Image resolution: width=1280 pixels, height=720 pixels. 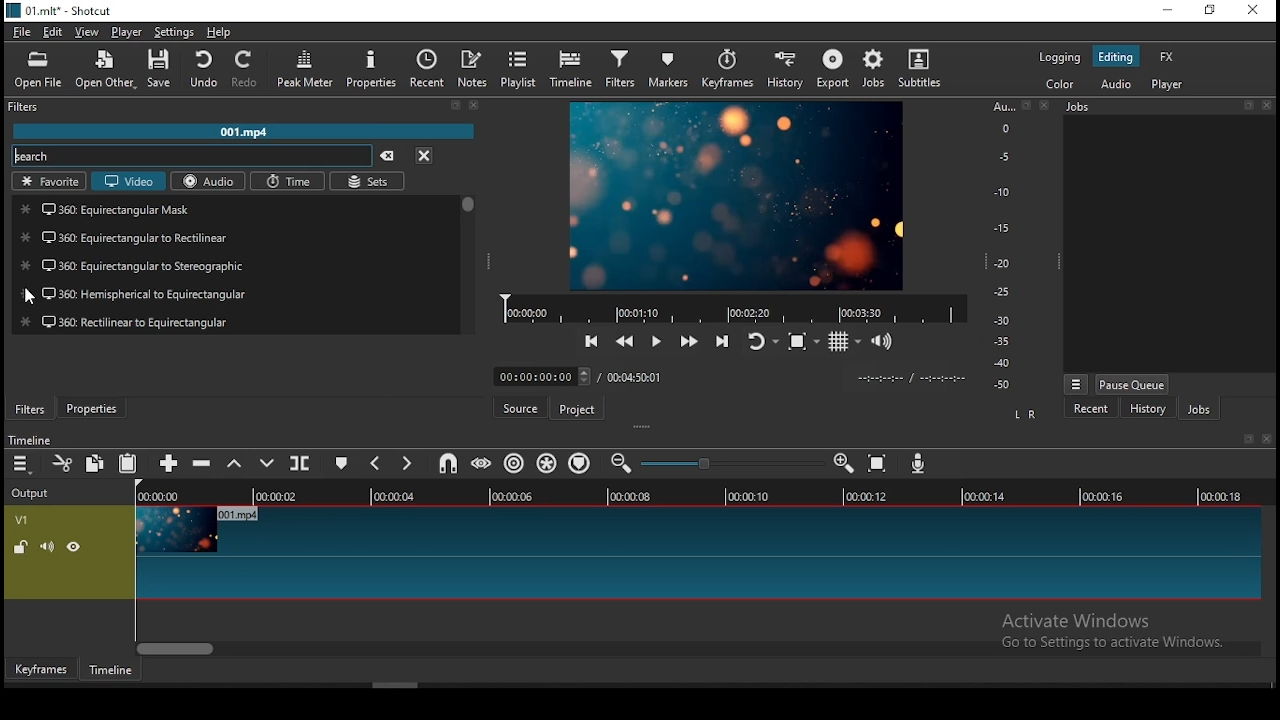 What do you see at coordinates (300, 463) in the screenshot?
I see `split at playhead` at bounding box center [300, 463].